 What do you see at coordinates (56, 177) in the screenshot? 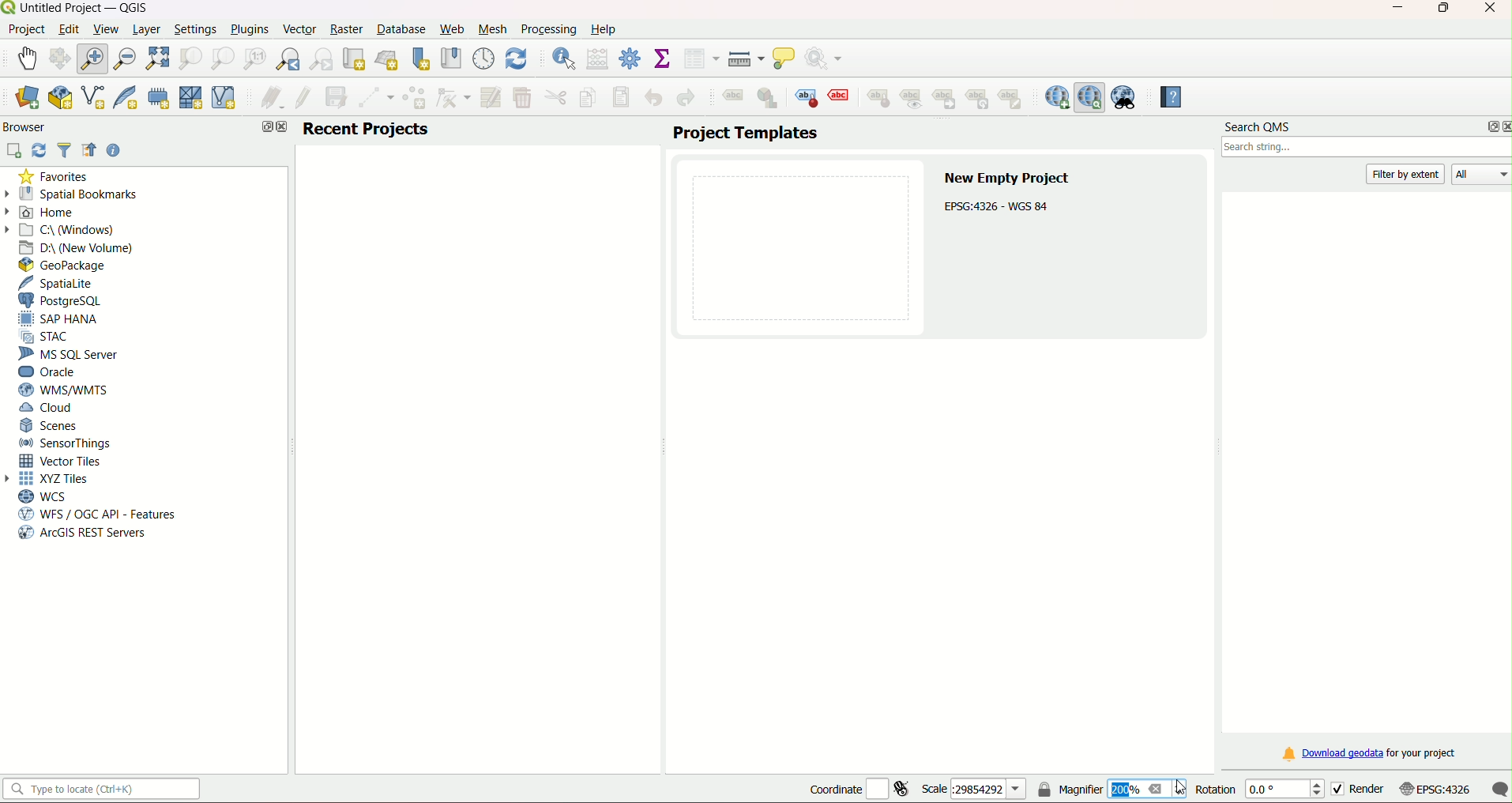
I see `favourites` at bounding box center [56, 177].